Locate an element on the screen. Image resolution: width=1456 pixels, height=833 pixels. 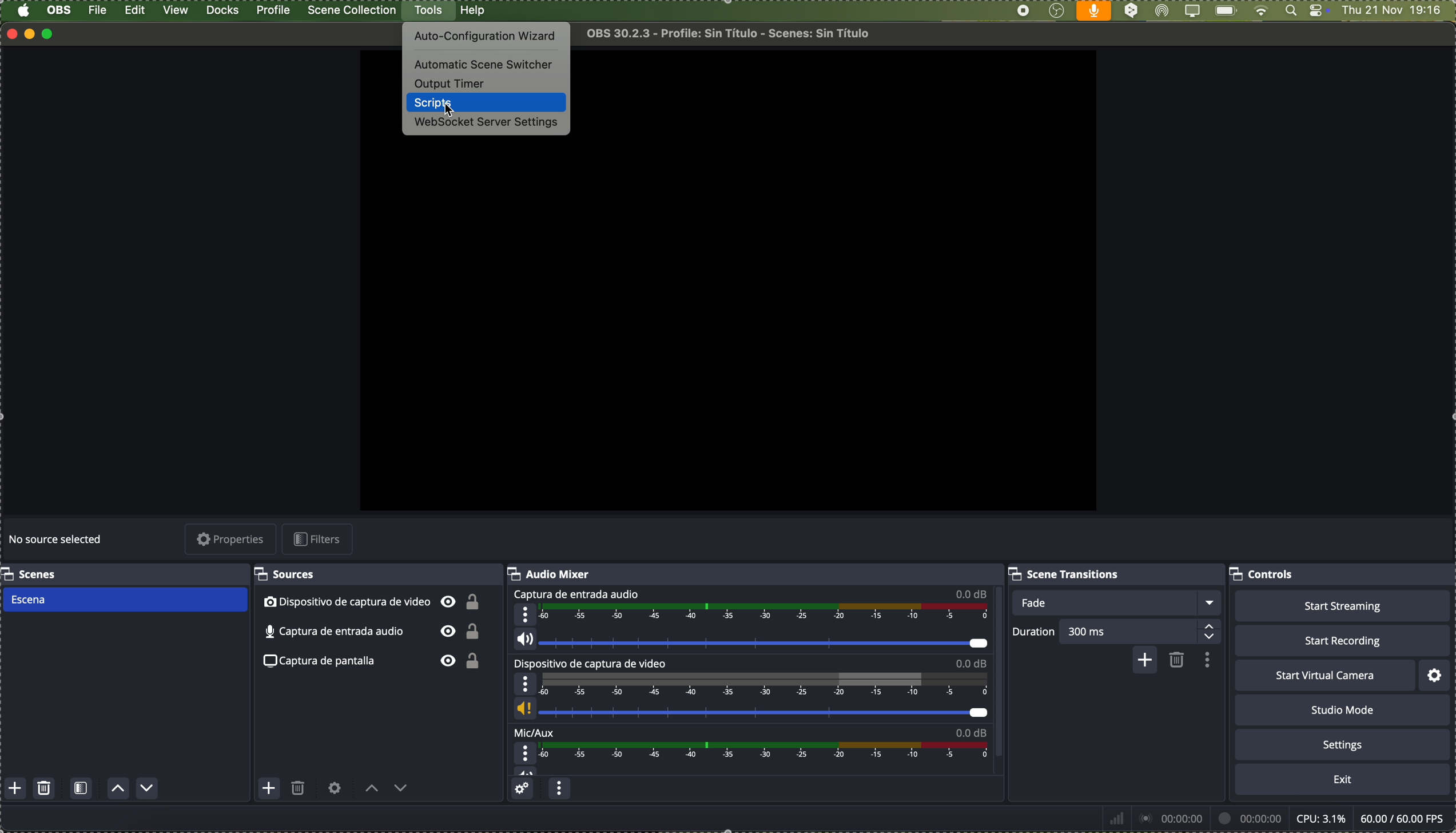
audio mixer menu is located at coordinates (559, 790).